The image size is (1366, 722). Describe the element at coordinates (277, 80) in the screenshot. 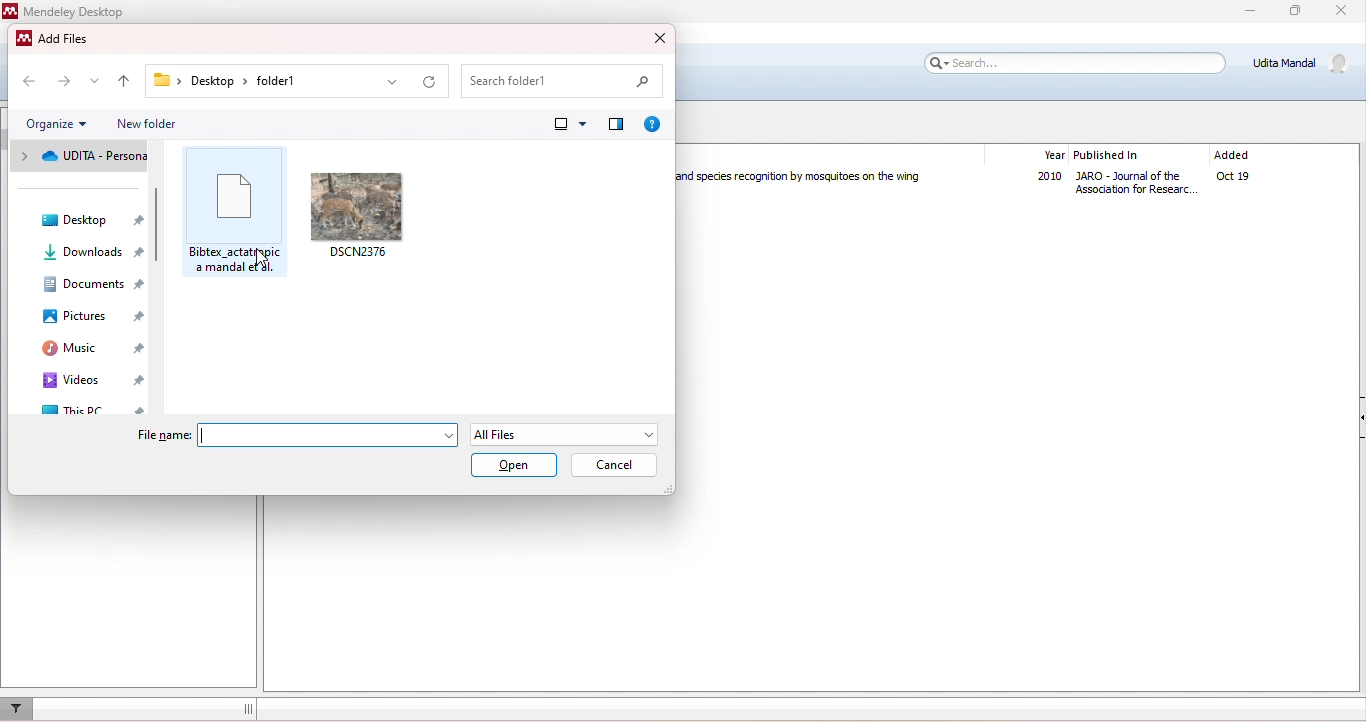

I see `folder1` at that location.